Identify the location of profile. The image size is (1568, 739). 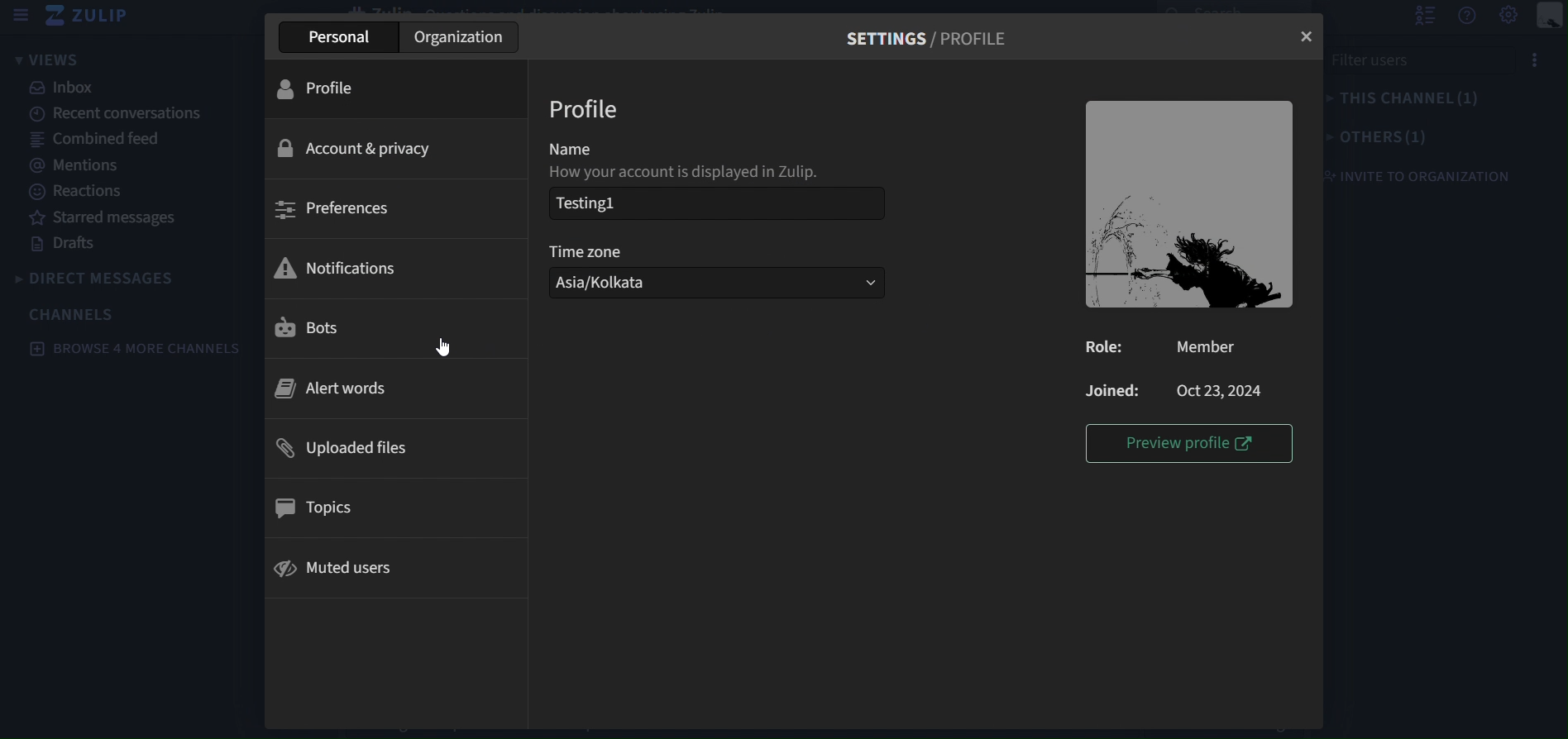
(585, 112).